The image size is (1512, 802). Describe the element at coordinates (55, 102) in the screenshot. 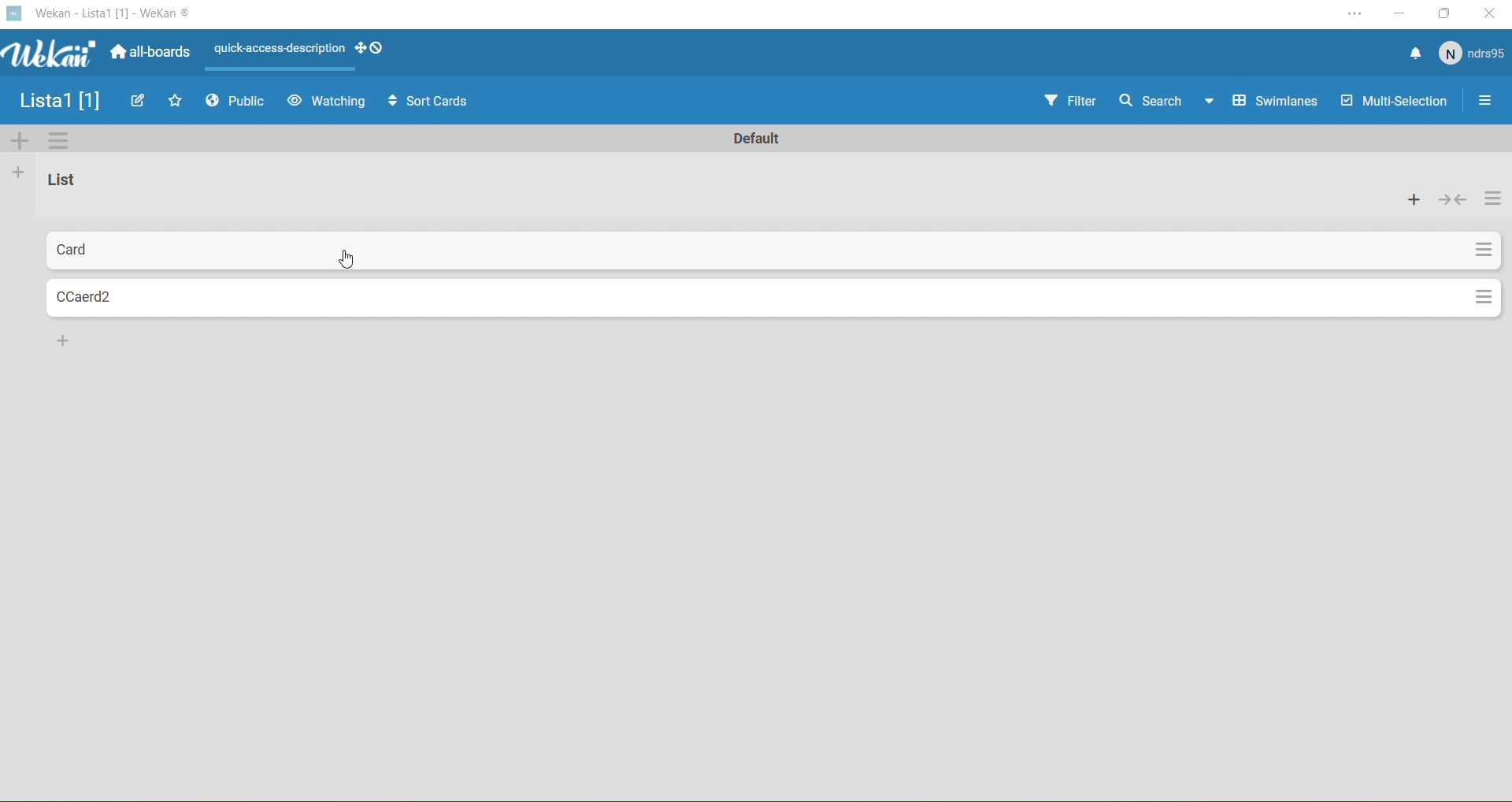

I see `Name` at that location.